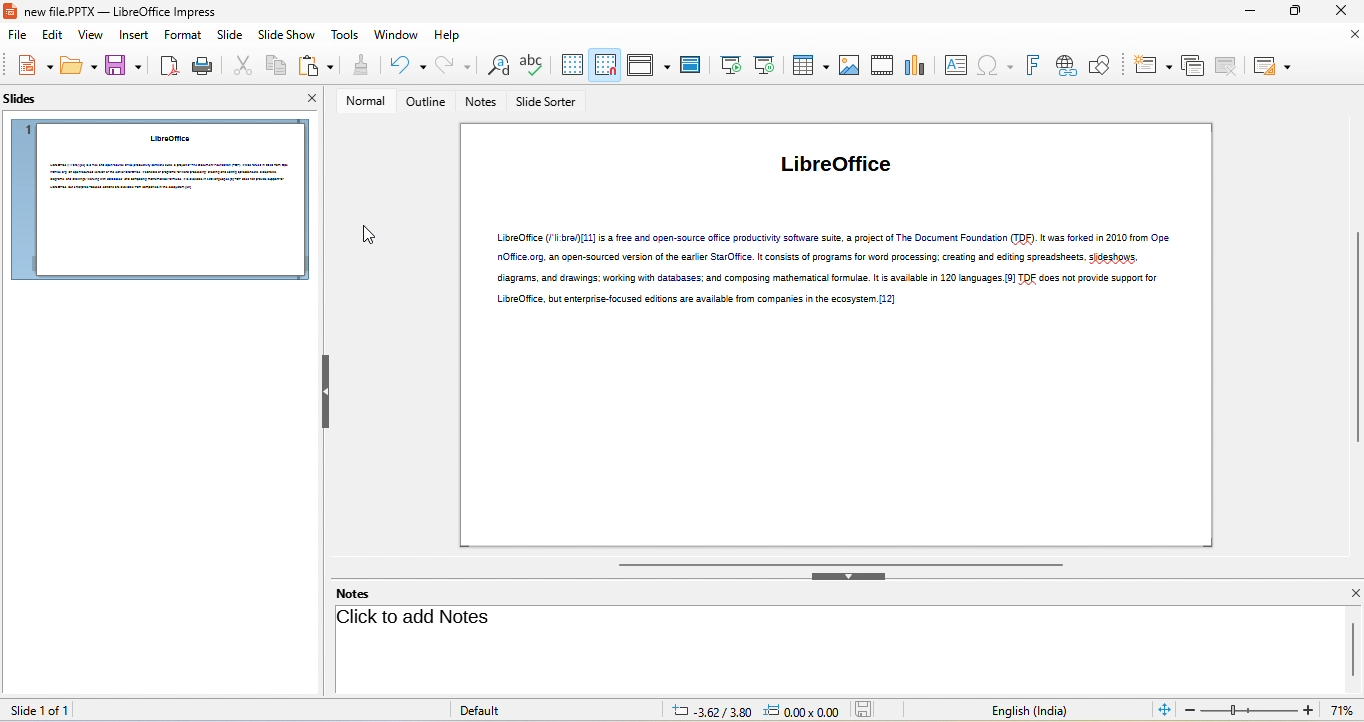 This screenshot has height=722, width=1364. Describe the element at coordinates (452, 35) in the screenshot. I see `help` at that location.